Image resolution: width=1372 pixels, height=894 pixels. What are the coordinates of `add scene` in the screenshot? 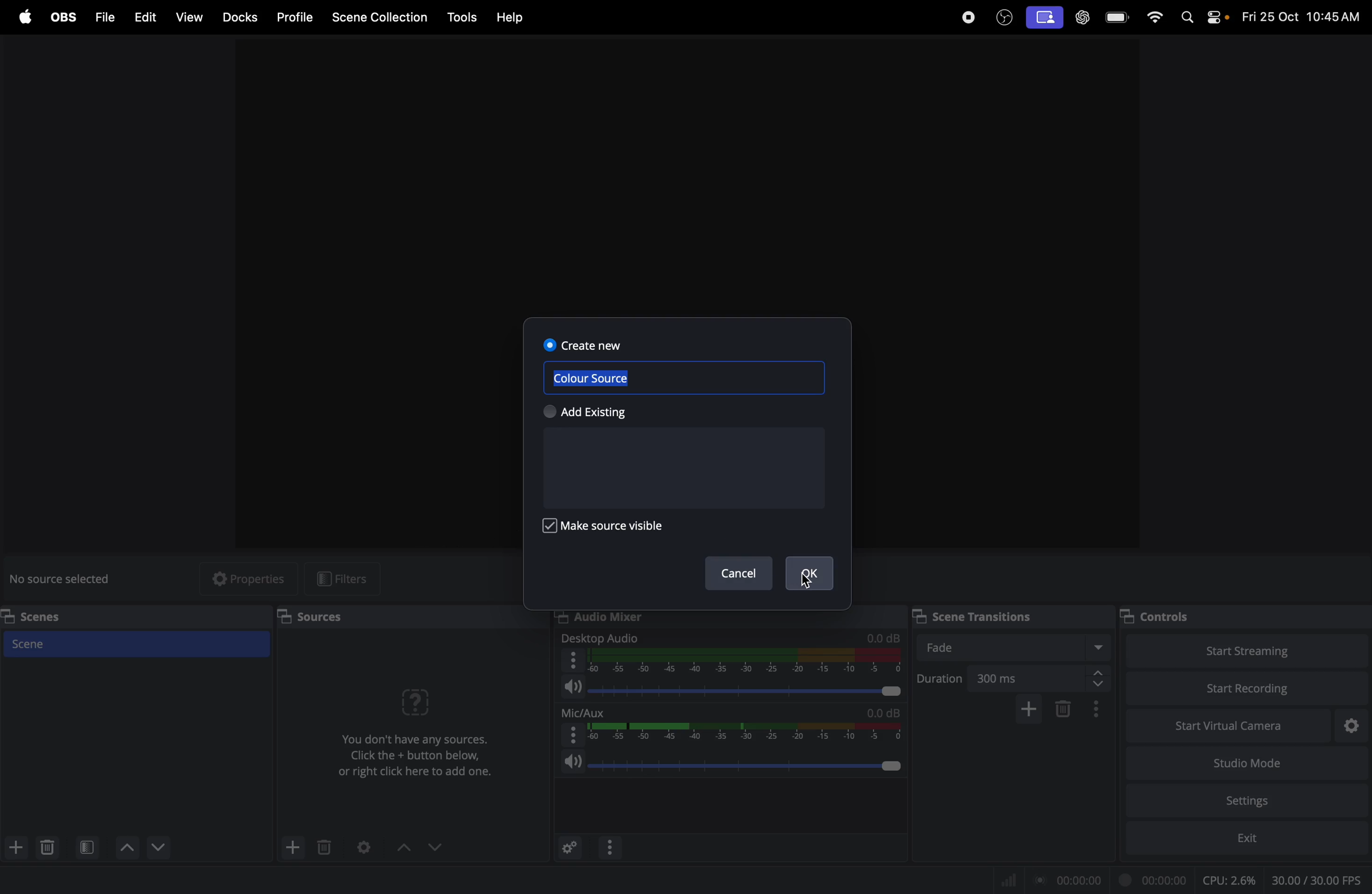 It's located at (18, 848).